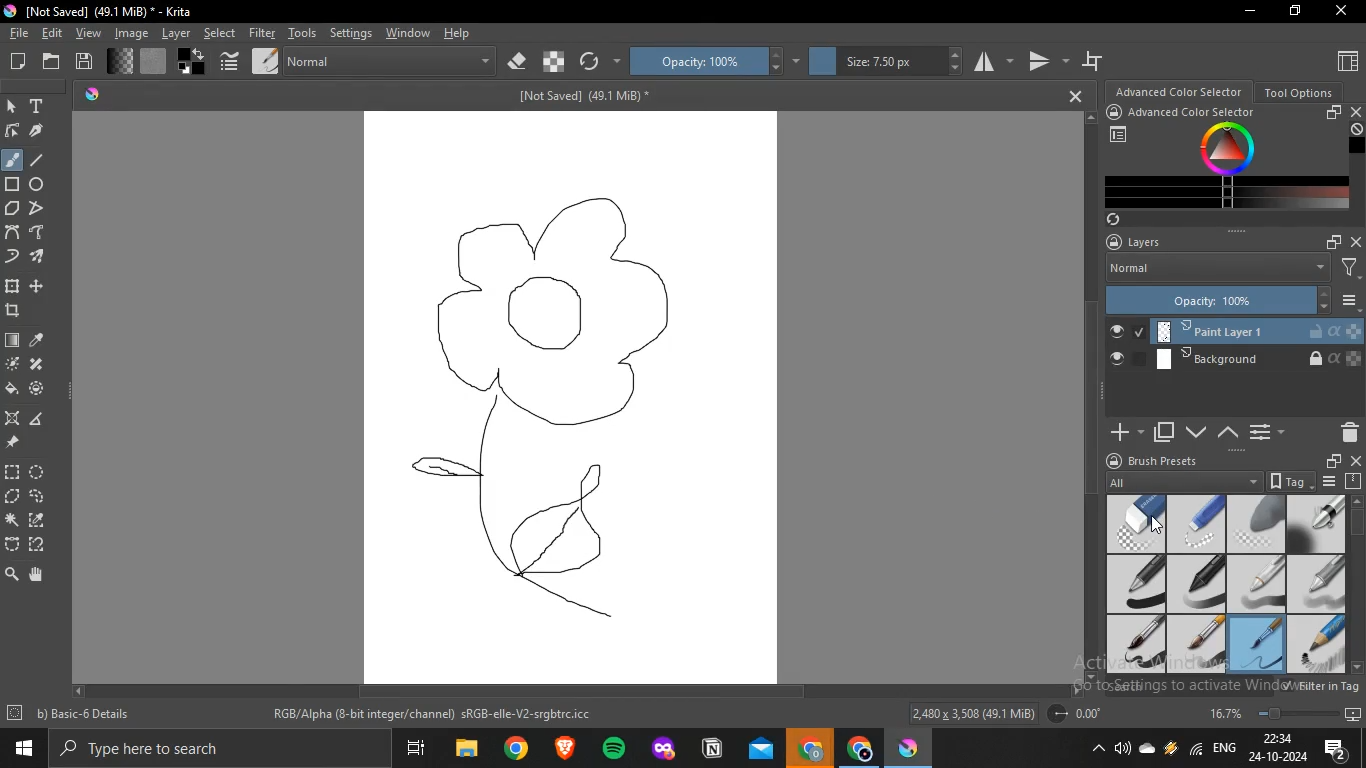 This screenshot has height=768, width=1366. What do you see at coordinates (883, 63) in the screenshot?
I see `size` at bounding box center [883, 63].